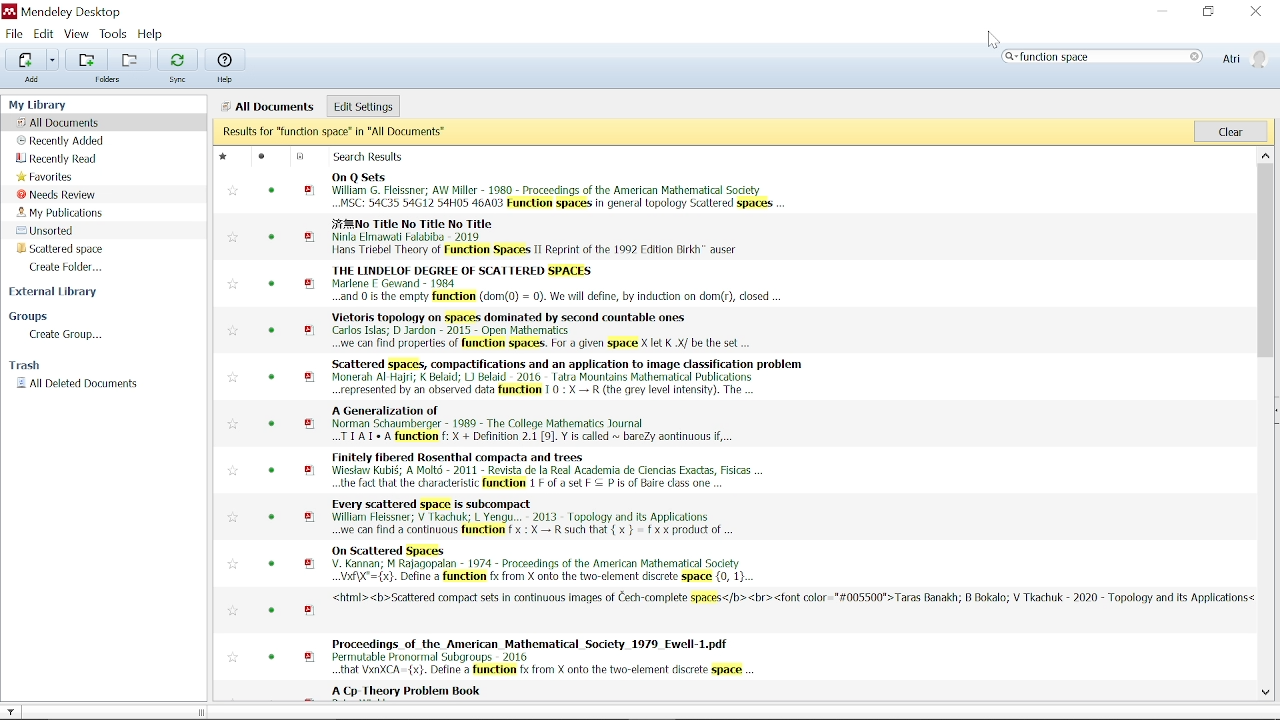 This screenshot has width=1280, height=720. What do you see at coordinates (1206, 12) in the screenshot?
I see `Restore down` at bounding box center [1206, 12].